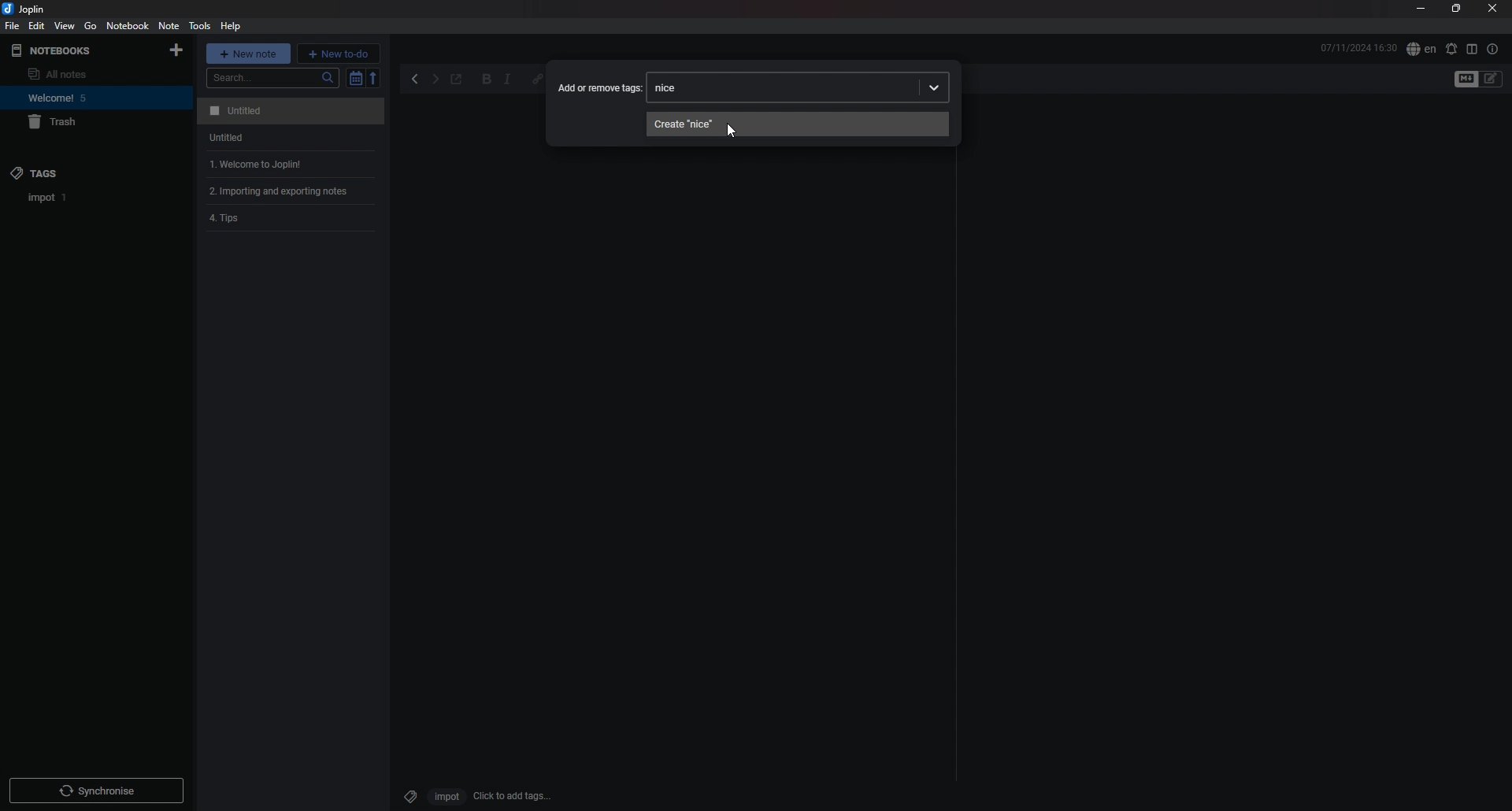  I want to click on time and date, so click(1358, 47).